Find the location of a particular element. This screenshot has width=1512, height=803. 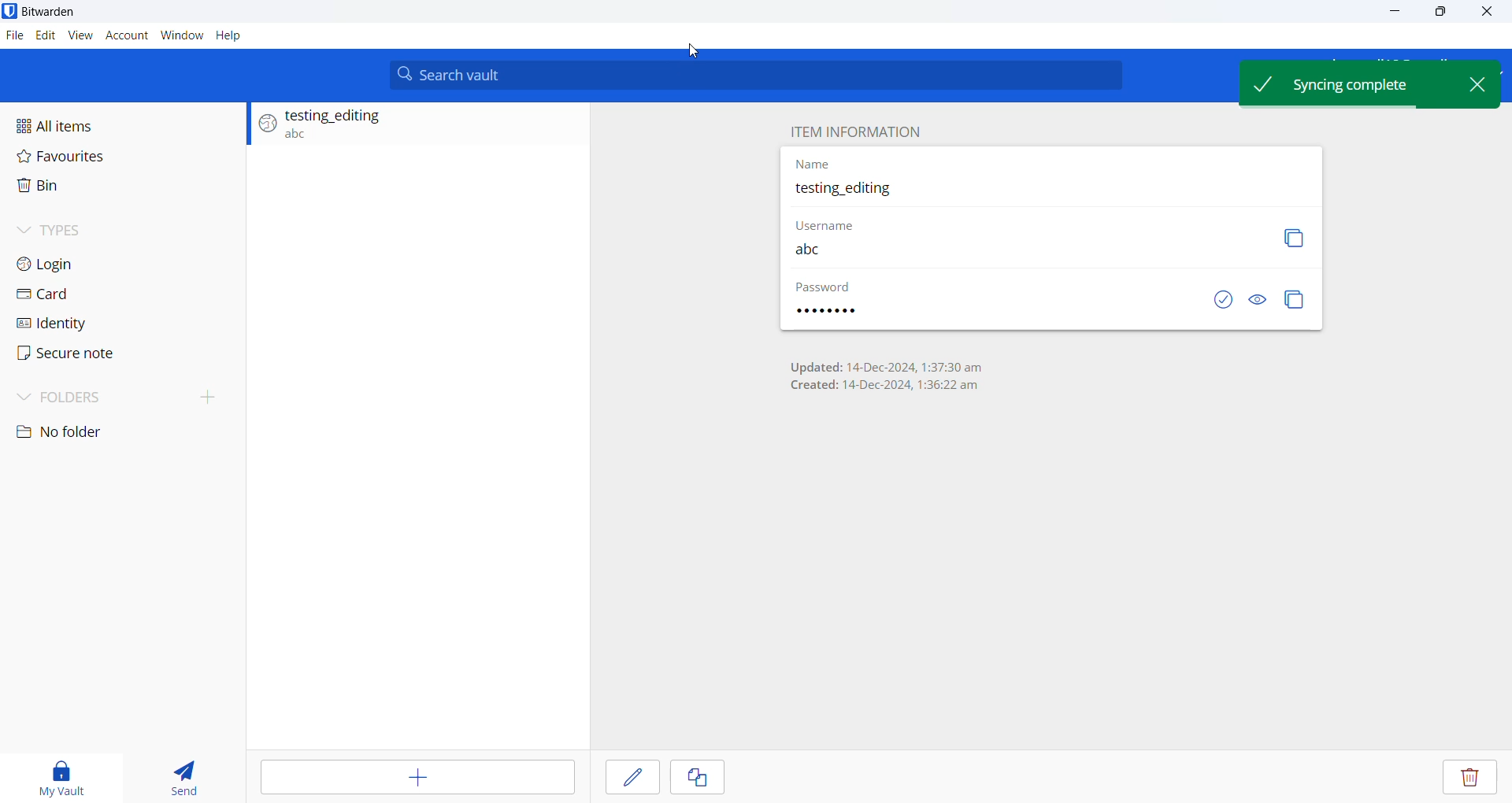

Folders is located at coordinates (84, 398).